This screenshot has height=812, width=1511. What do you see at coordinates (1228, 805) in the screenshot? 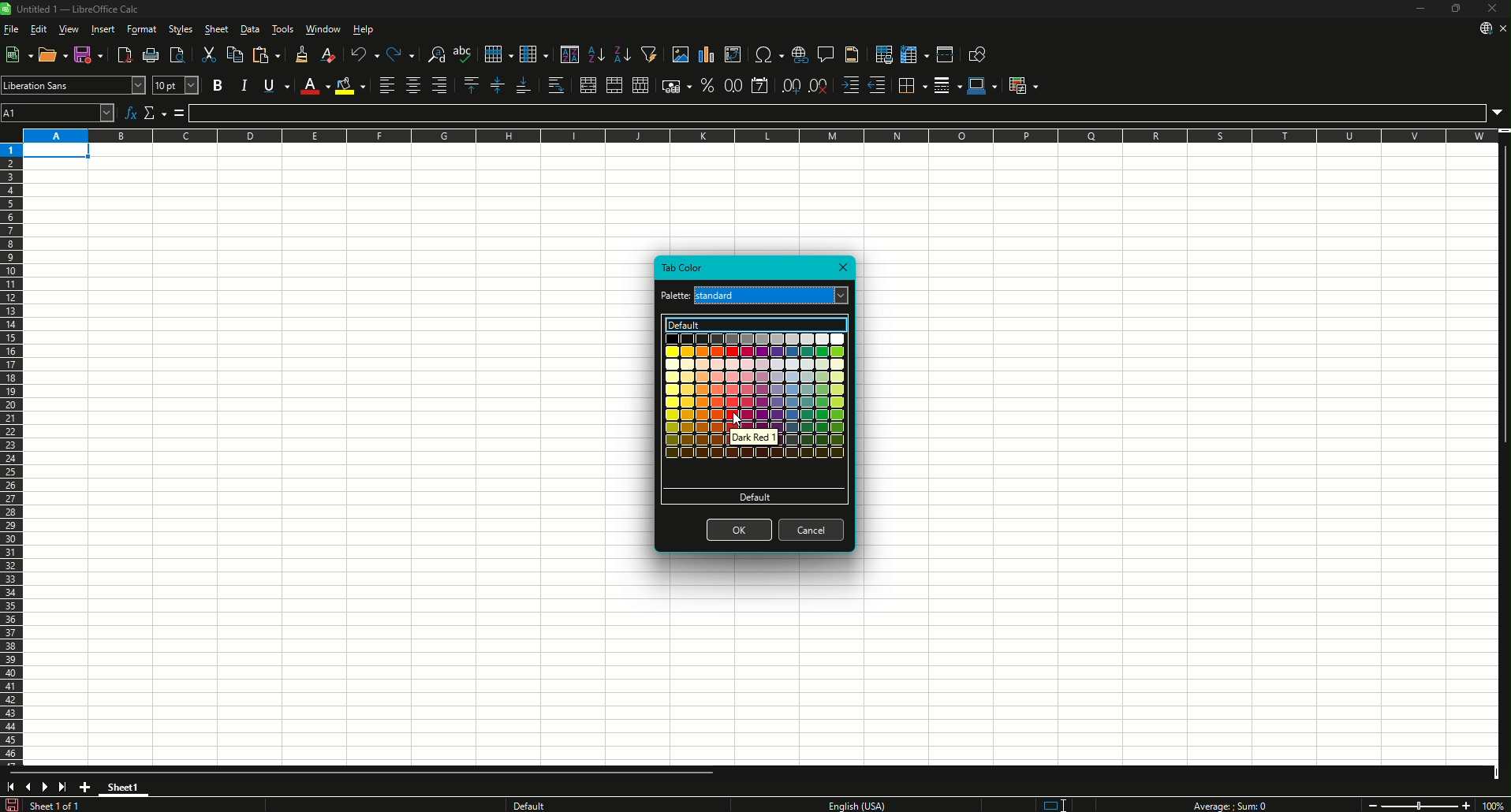
I see `Text` at bounding box center [1228, 805].